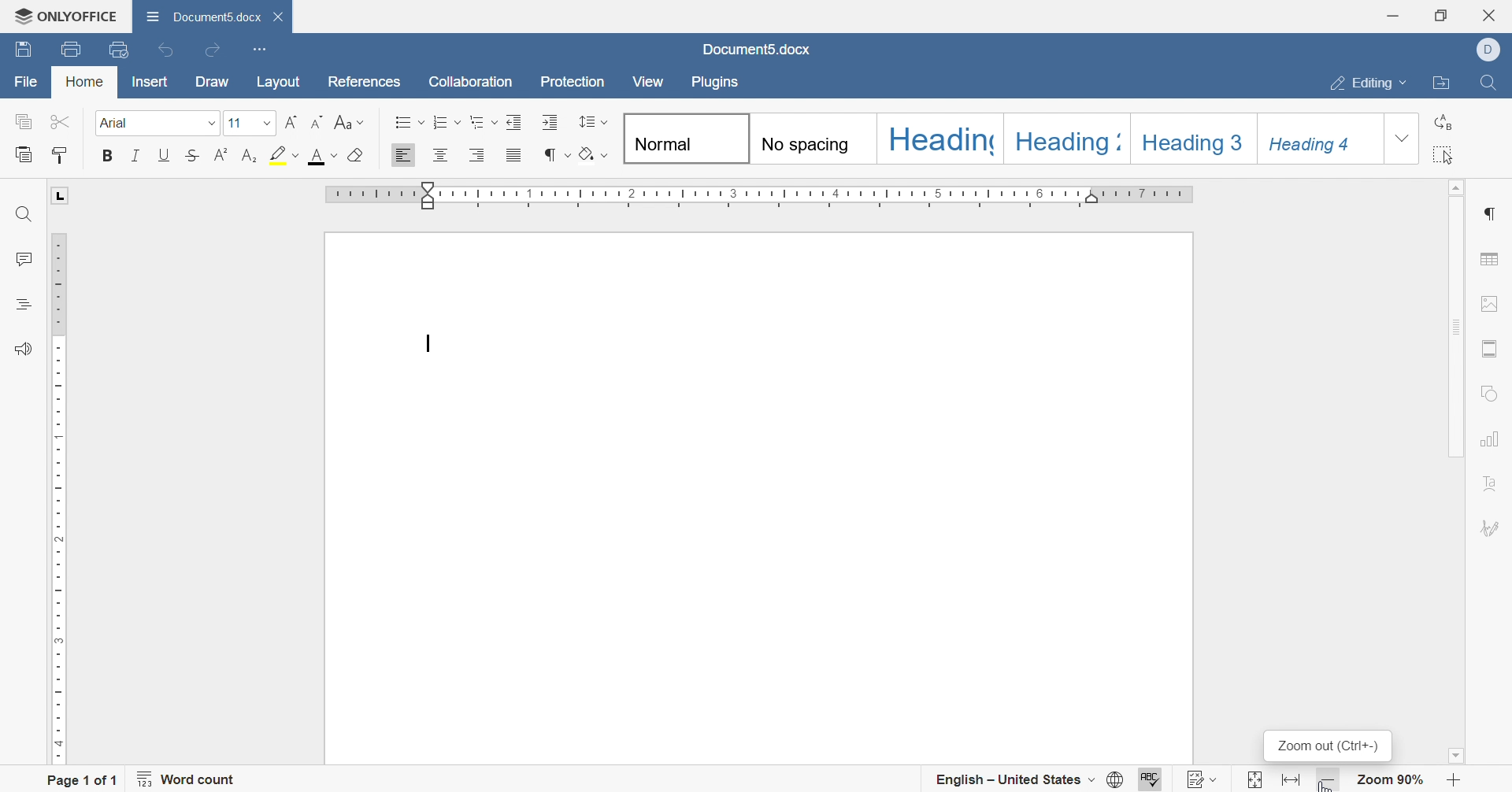  I want to click on increment font size, so click(289, 124).